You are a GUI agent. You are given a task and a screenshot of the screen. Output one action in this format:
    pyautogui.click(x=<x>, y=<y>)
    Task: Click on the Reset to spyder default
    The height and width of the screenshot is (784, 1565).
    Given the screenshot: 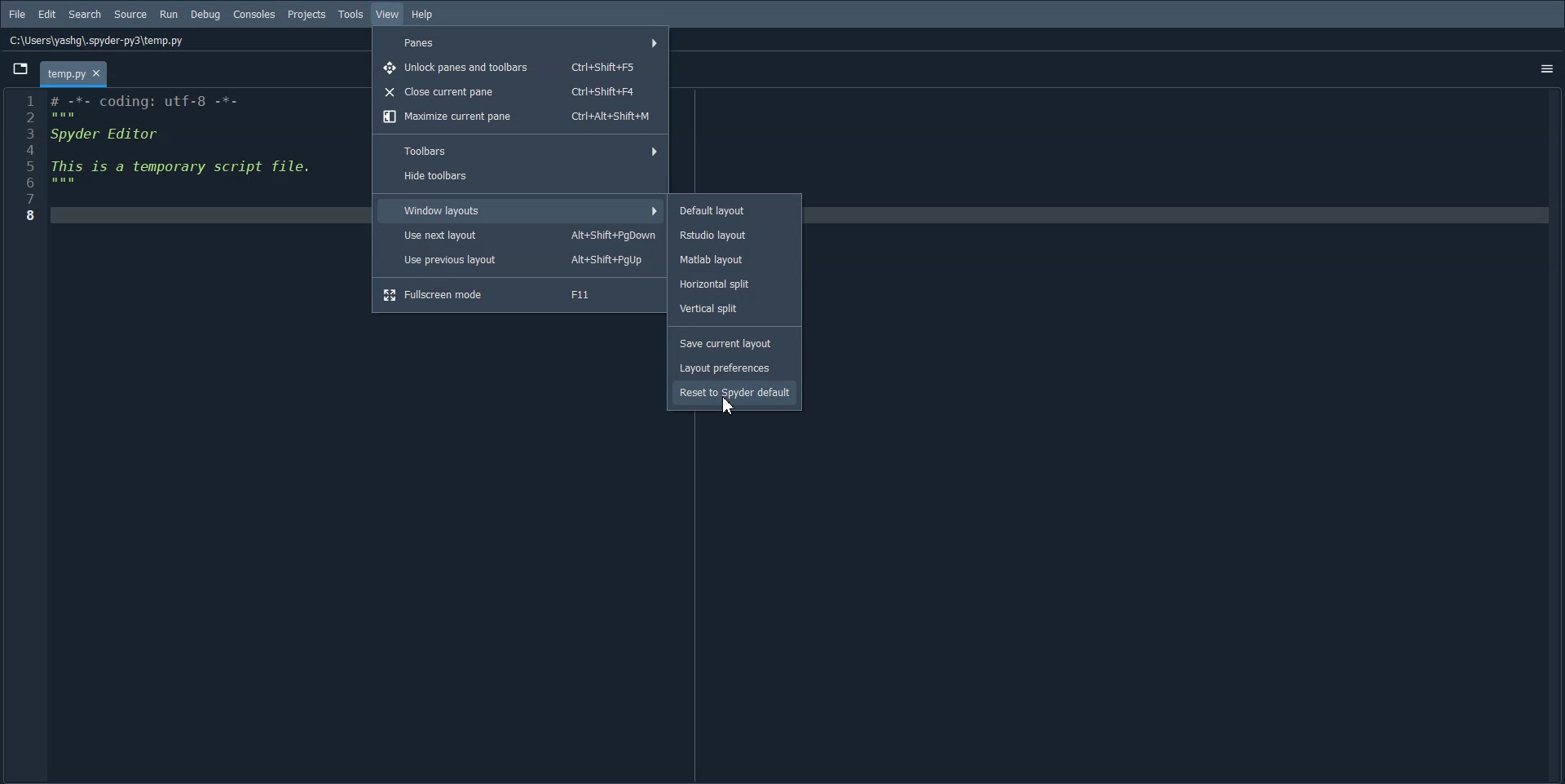 What is the action you would take?
    pyautogui.click(x=734, y=392)
    